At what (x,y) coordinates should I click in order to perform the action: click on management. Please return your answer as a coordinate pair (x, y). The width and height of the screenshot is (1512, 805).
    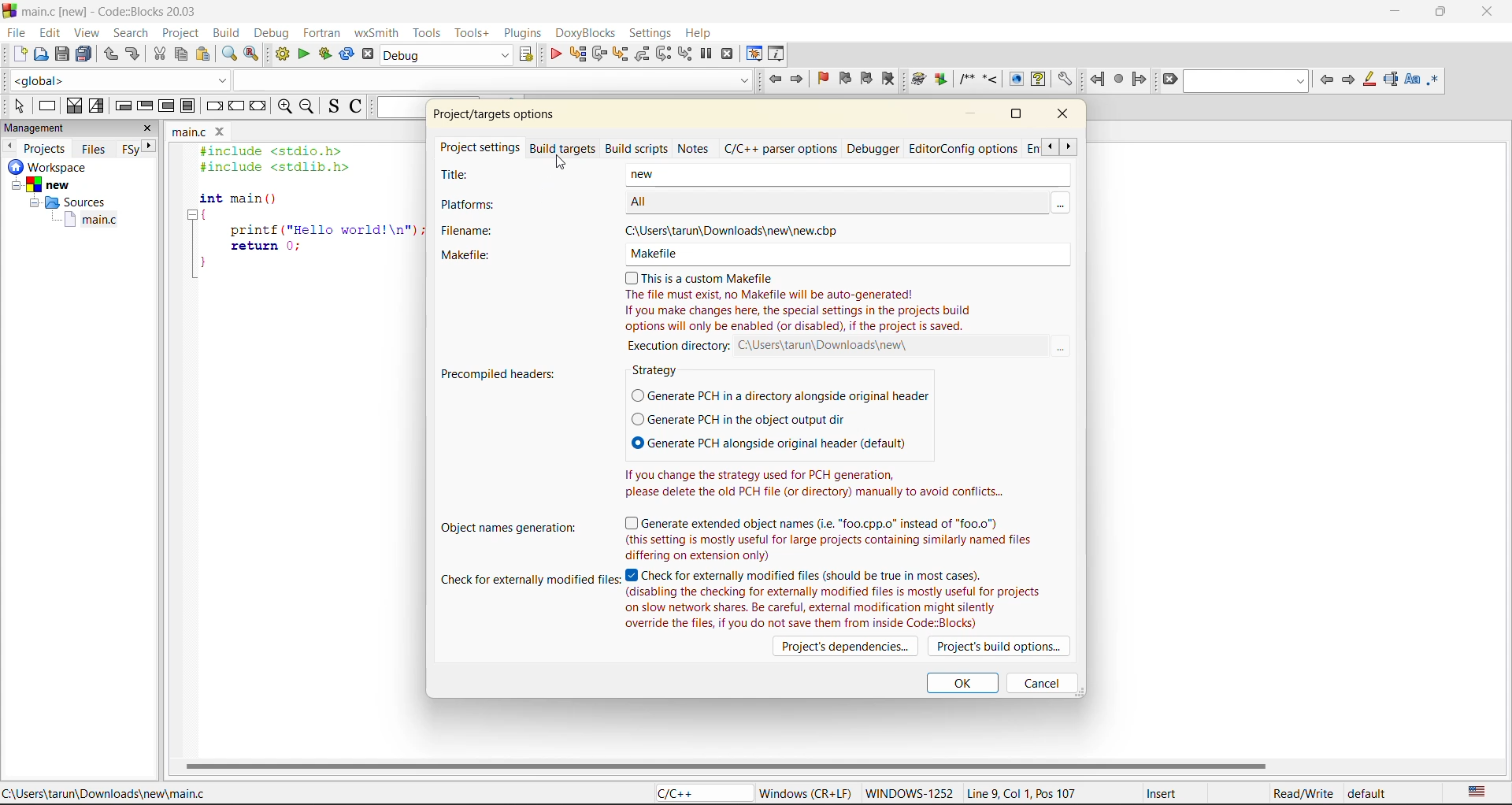
    Looking at the image, I should click on (52, 127).